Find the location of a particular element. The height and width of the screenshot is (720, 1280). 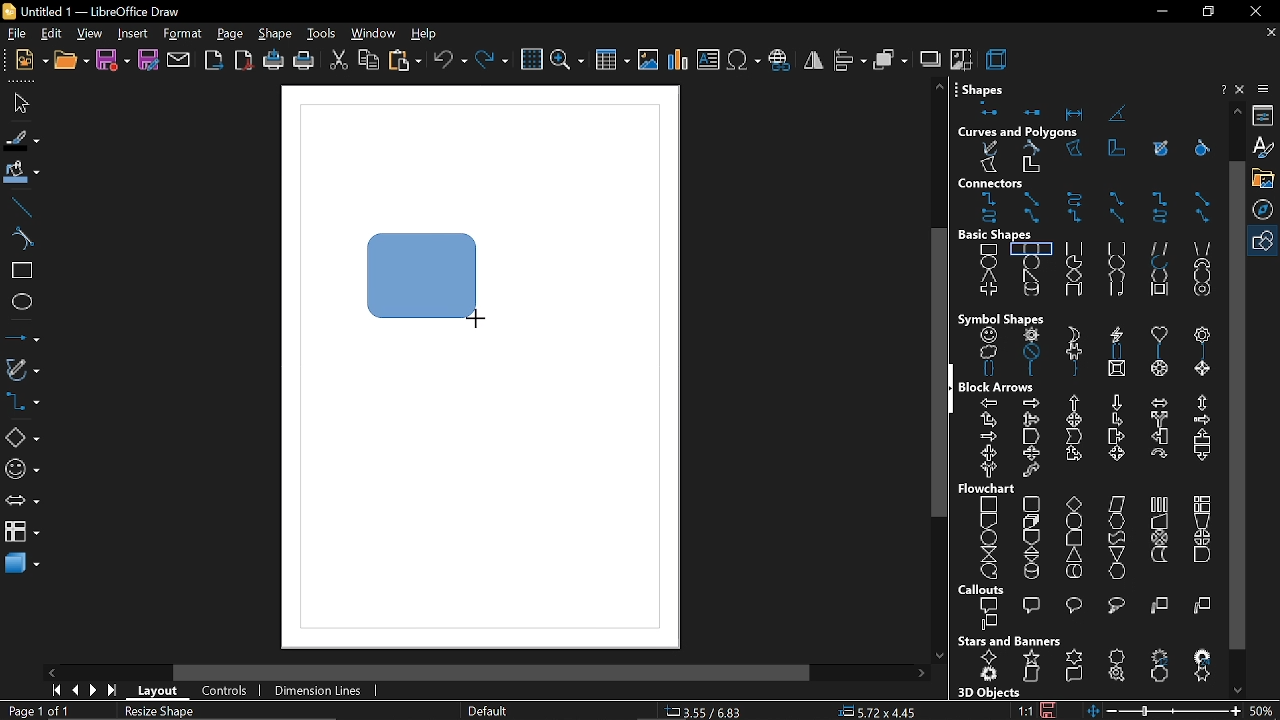

flowchart is located at coordinates (22, 531).